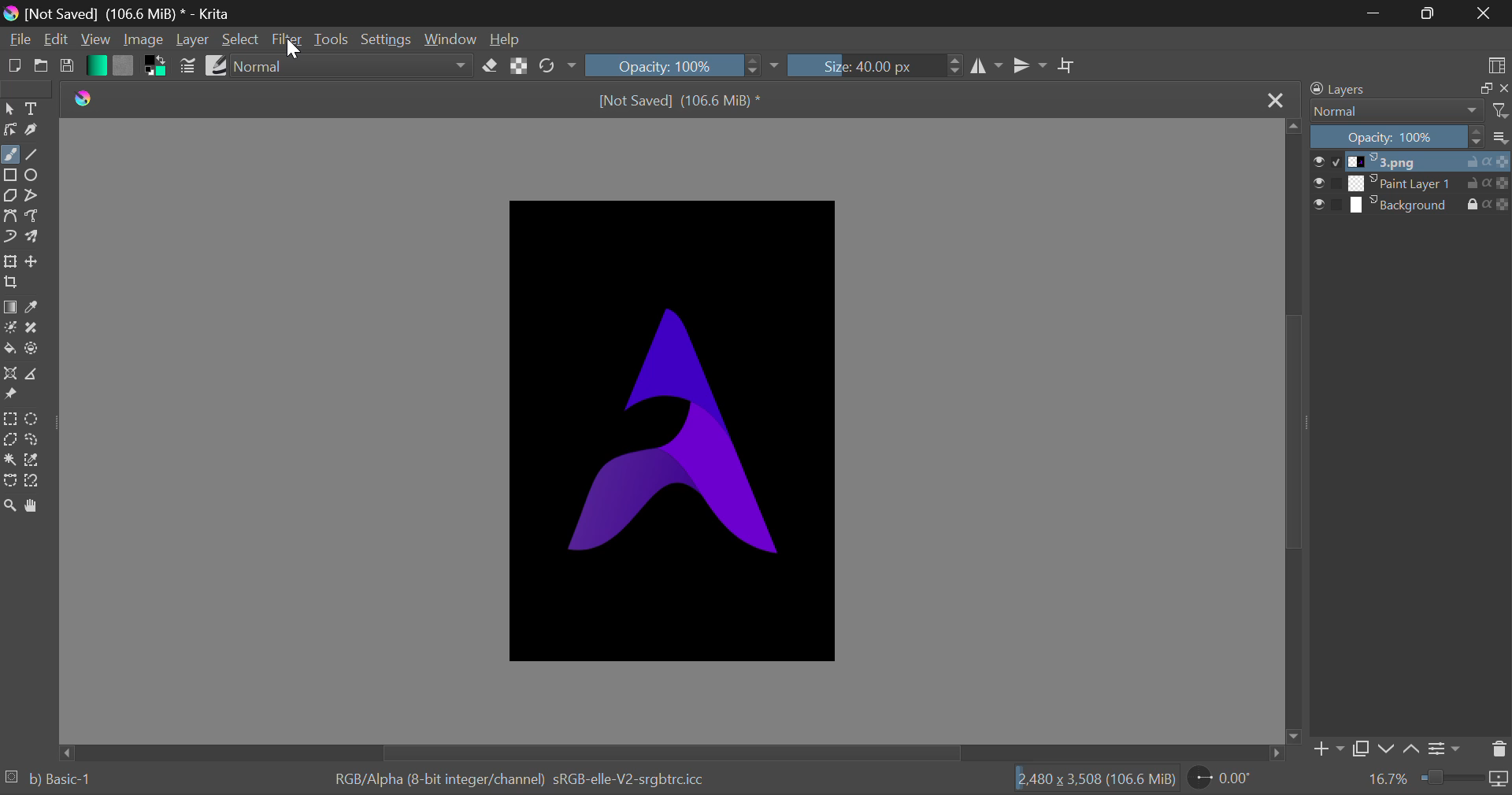 This screenshot has width=1512, height=795. What do you see at coordinates (10, 238) in the screenshot?
I see `Dynamic Brush` at bounding box center [10, 238].